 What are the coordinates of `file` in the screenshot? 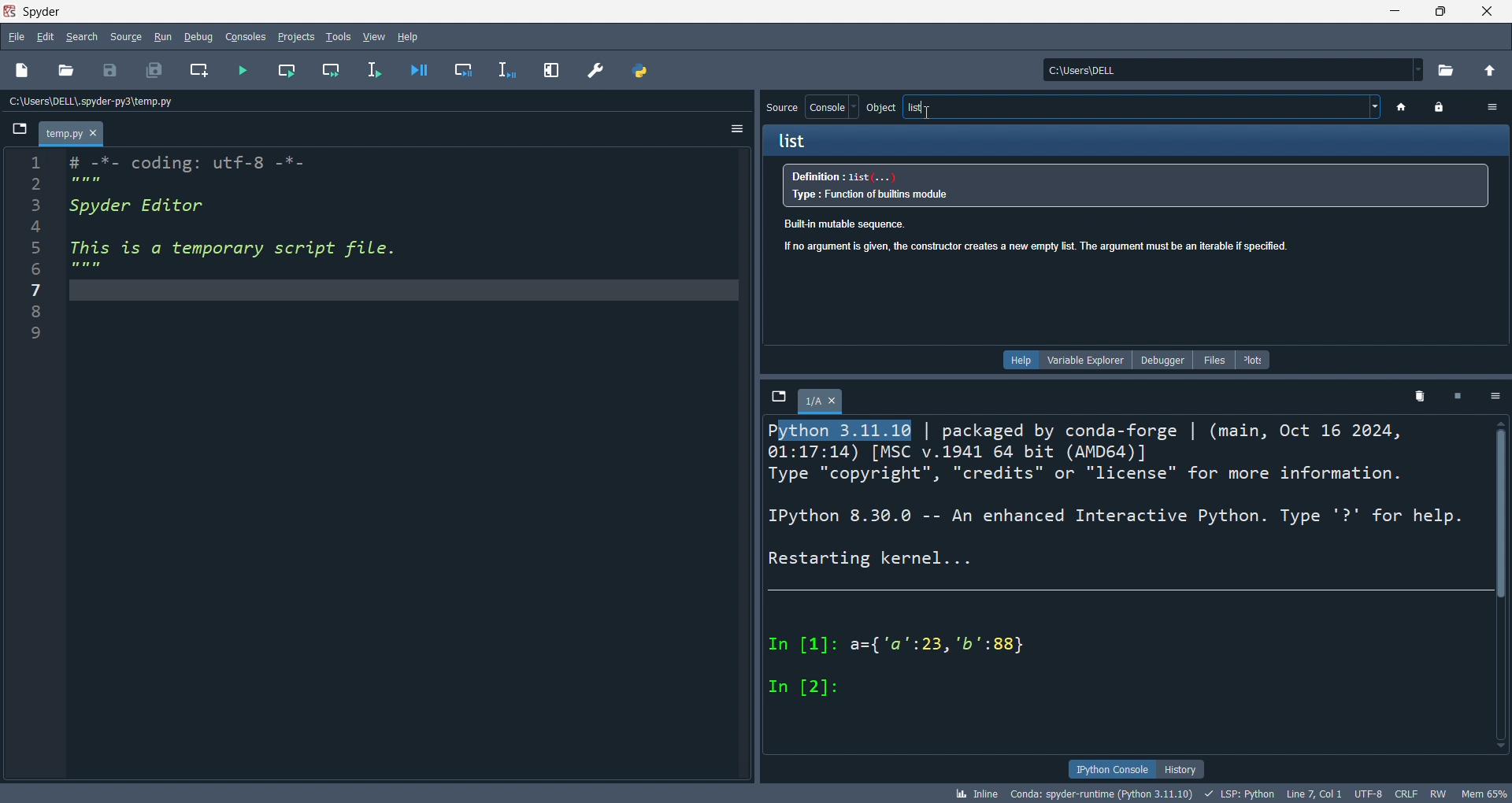 It's located at (14, 36).